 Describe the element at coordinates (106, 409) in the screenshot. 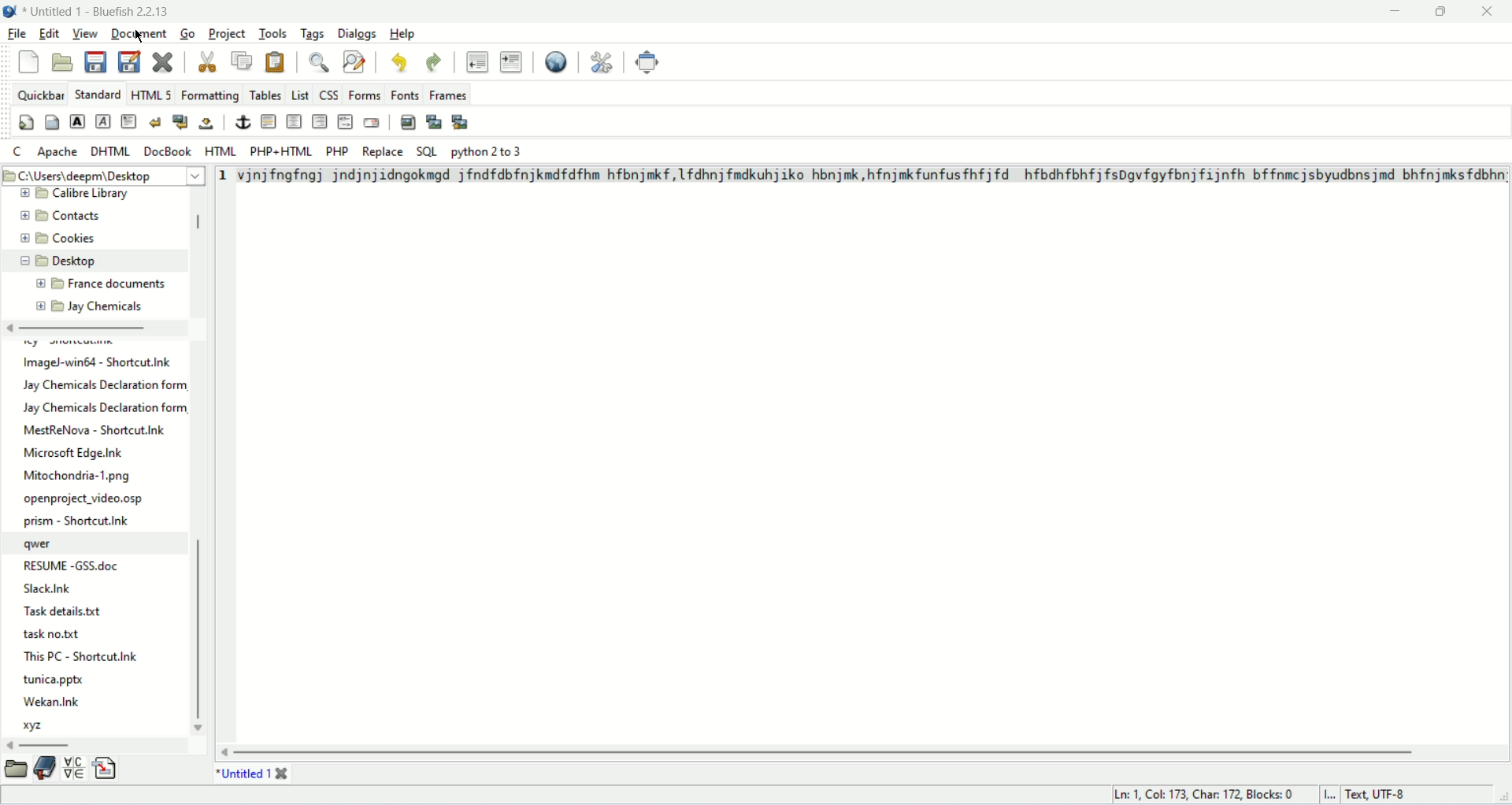

I see `Jay Chemicals Declaration form` at that location.